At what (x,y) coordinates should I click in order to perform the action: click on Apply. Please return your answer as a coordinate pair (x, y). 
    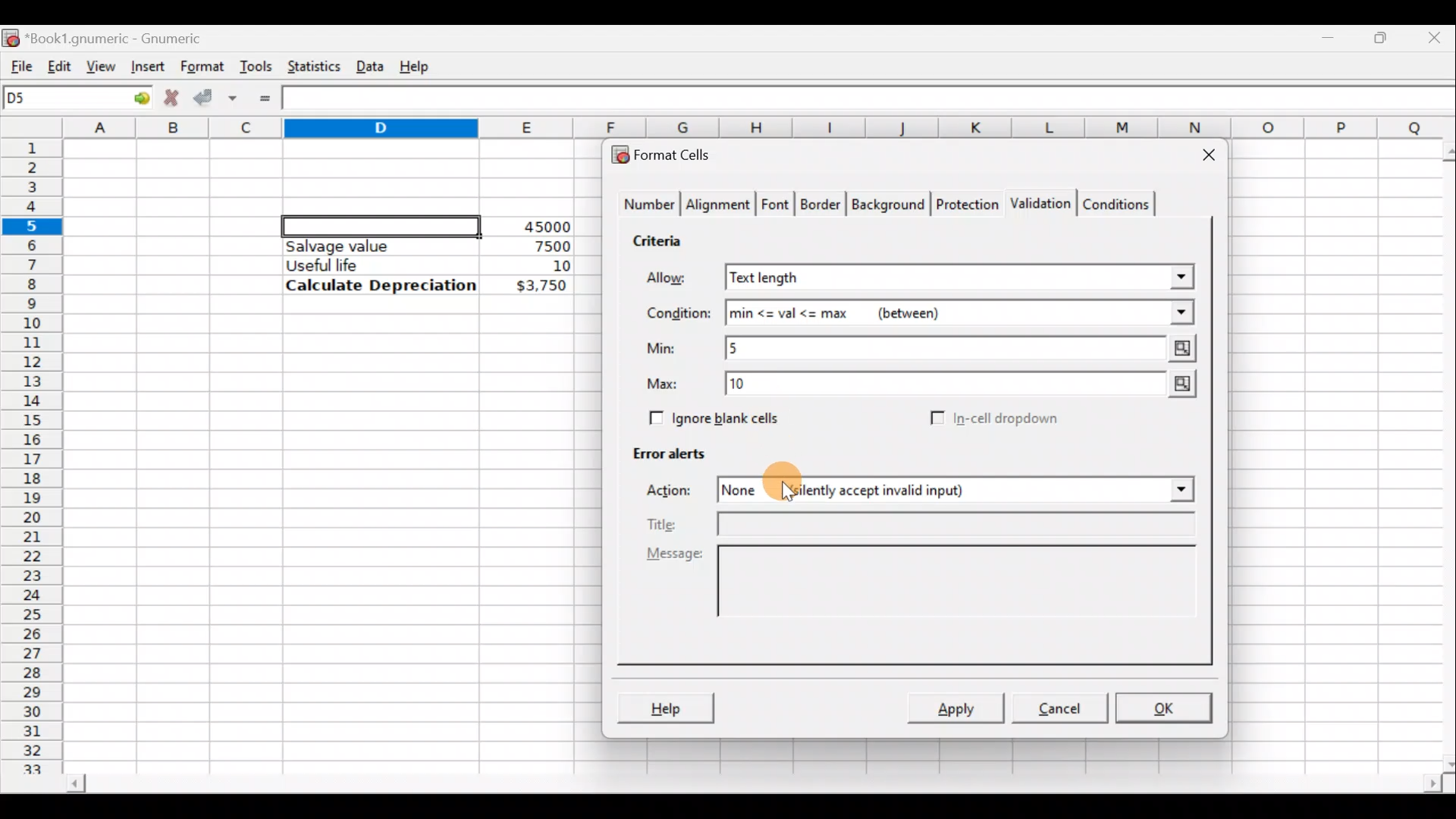
    Looking at the image, I should click on (962, 707).